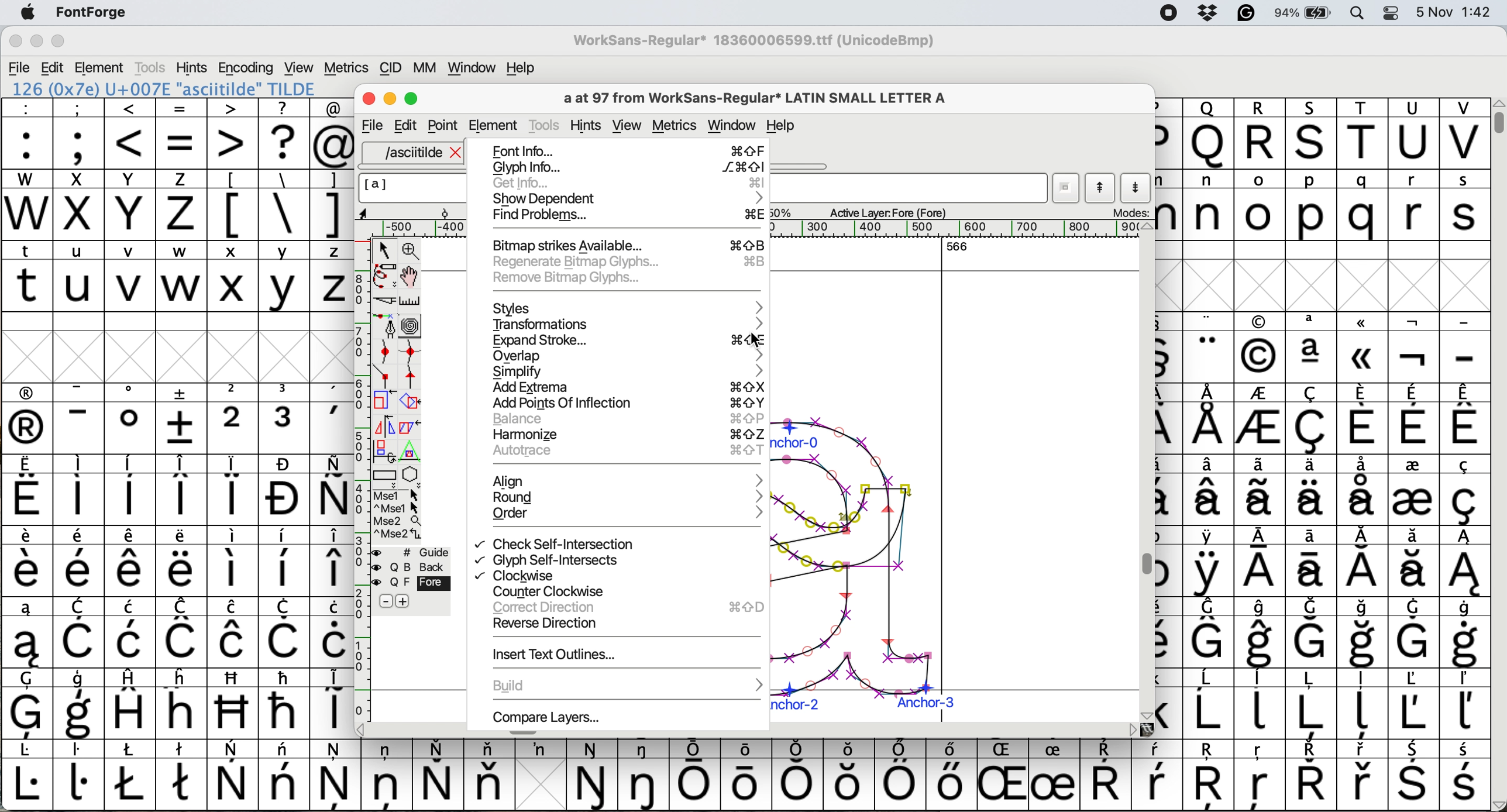 The image size is (1507, 812). Describe the element at coordinates (839, 447) in the screenshot. I see `a glyph` at that location.